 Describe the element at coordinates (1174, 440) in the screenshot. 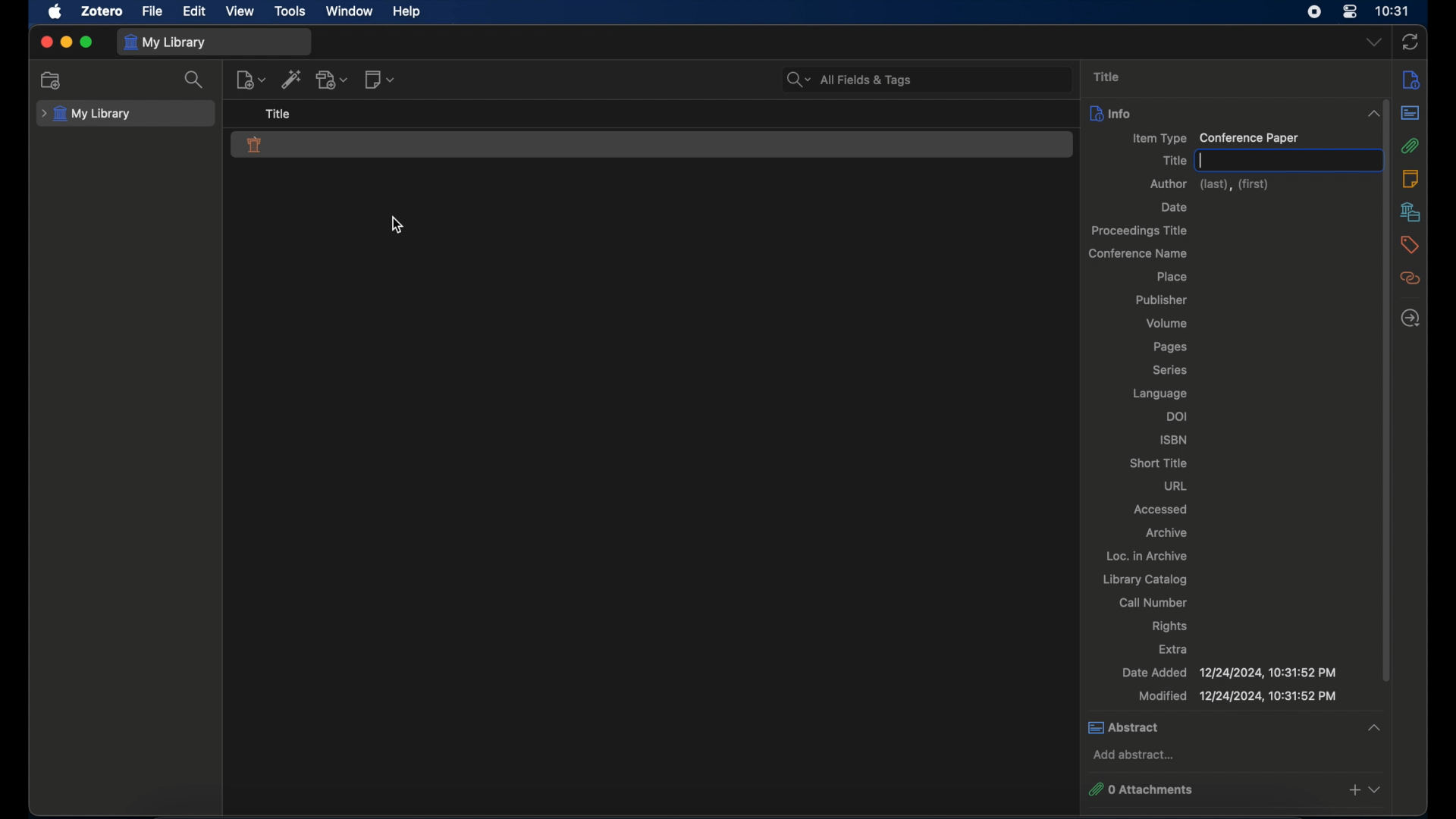

I see `isbn` at that location.